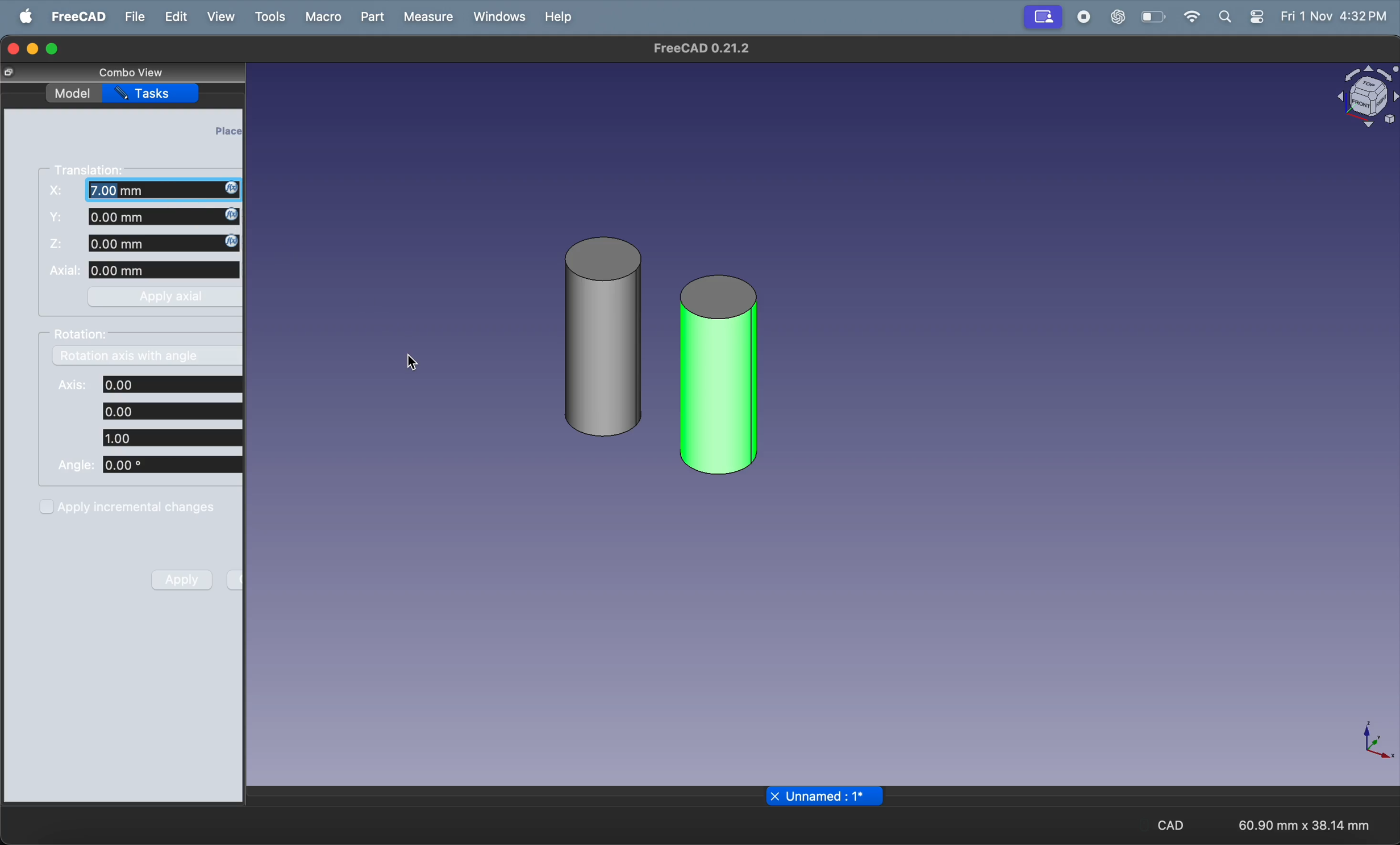  What do you see at coordinates (774, 796) in the screenshot?
I see `close` at bounding box center [774, 796].